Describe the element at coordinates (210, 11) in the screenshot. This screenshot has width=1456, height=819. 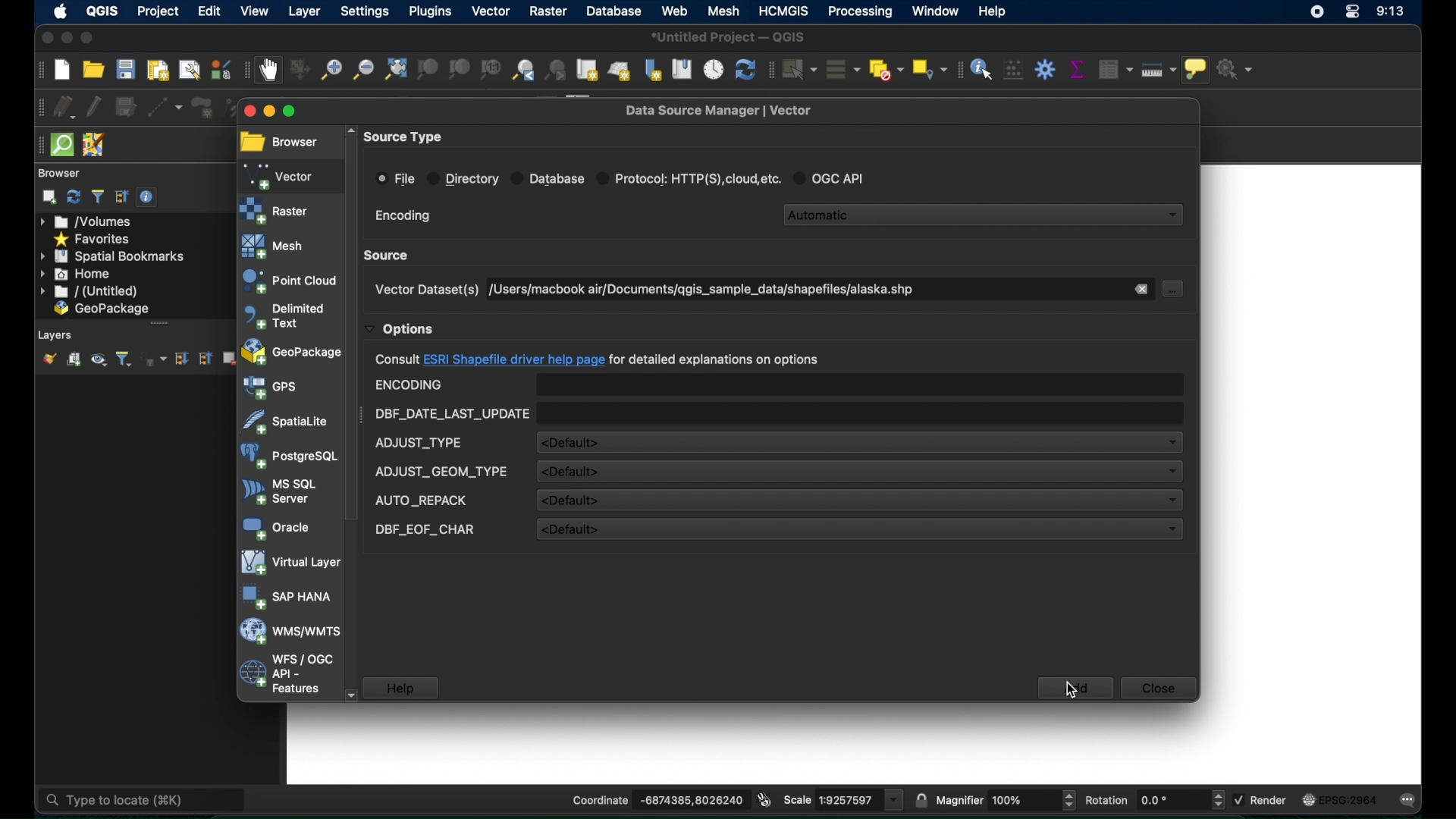
I see `edit` at that location.